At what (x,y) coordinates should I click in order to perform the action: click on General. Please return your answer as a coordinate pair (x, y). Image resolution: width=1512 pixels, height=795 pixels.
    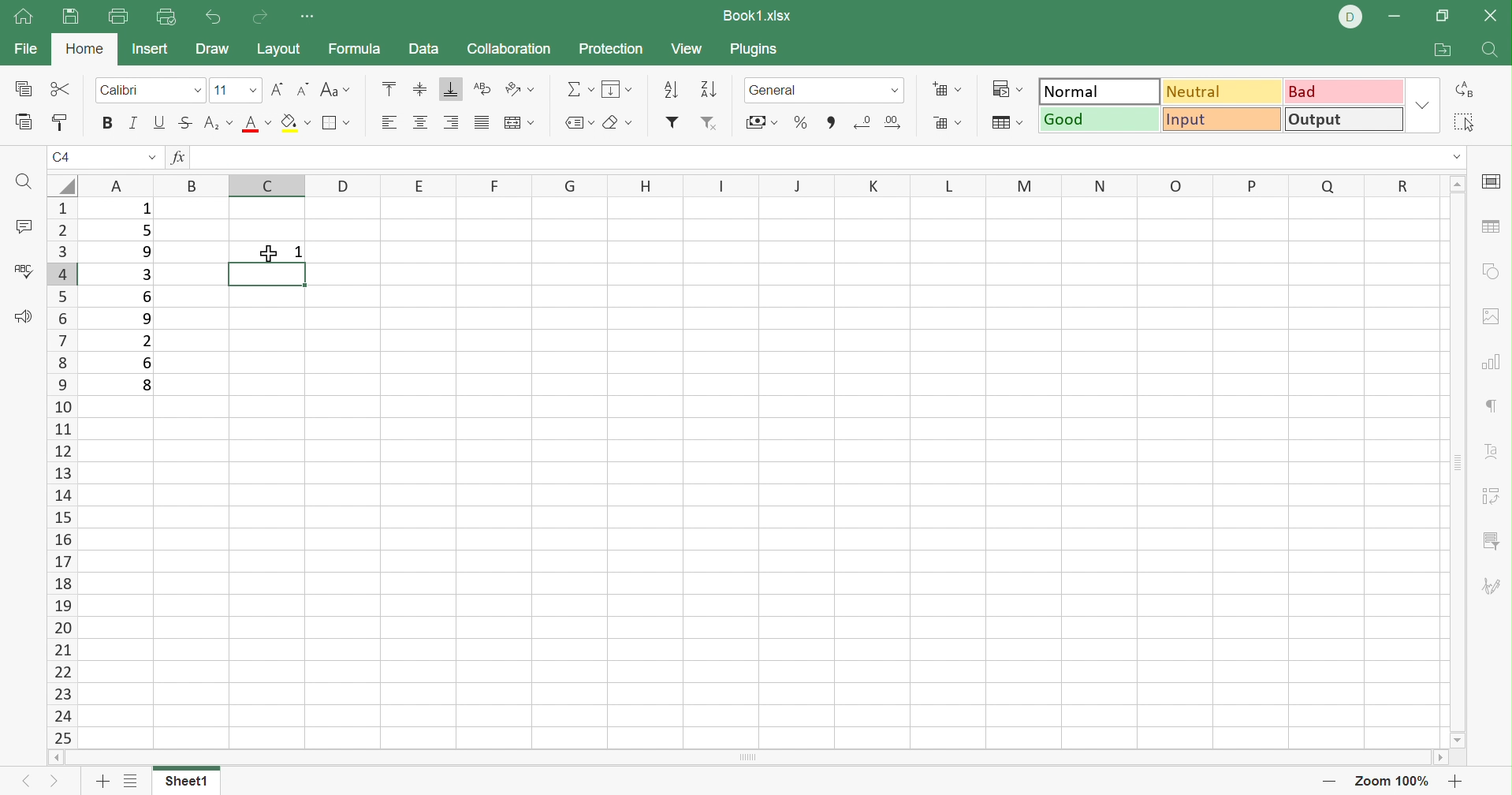
    Looking at the image, I should click on (776, 90).